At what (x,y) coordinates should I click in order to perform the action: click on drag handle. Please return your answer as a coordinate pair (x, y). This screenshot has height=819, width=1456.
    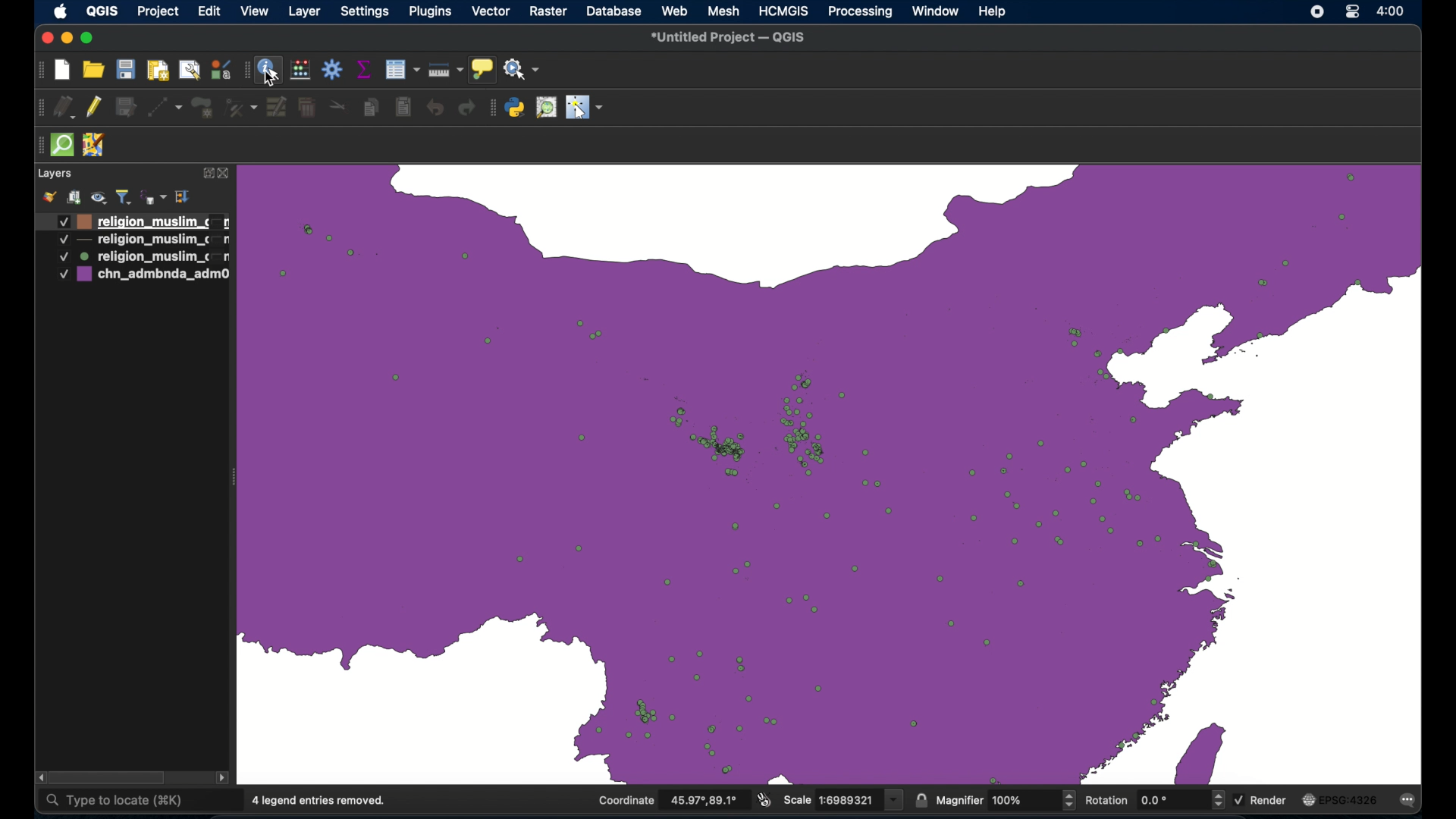
    Looking at the image, I should click on (38, 144).